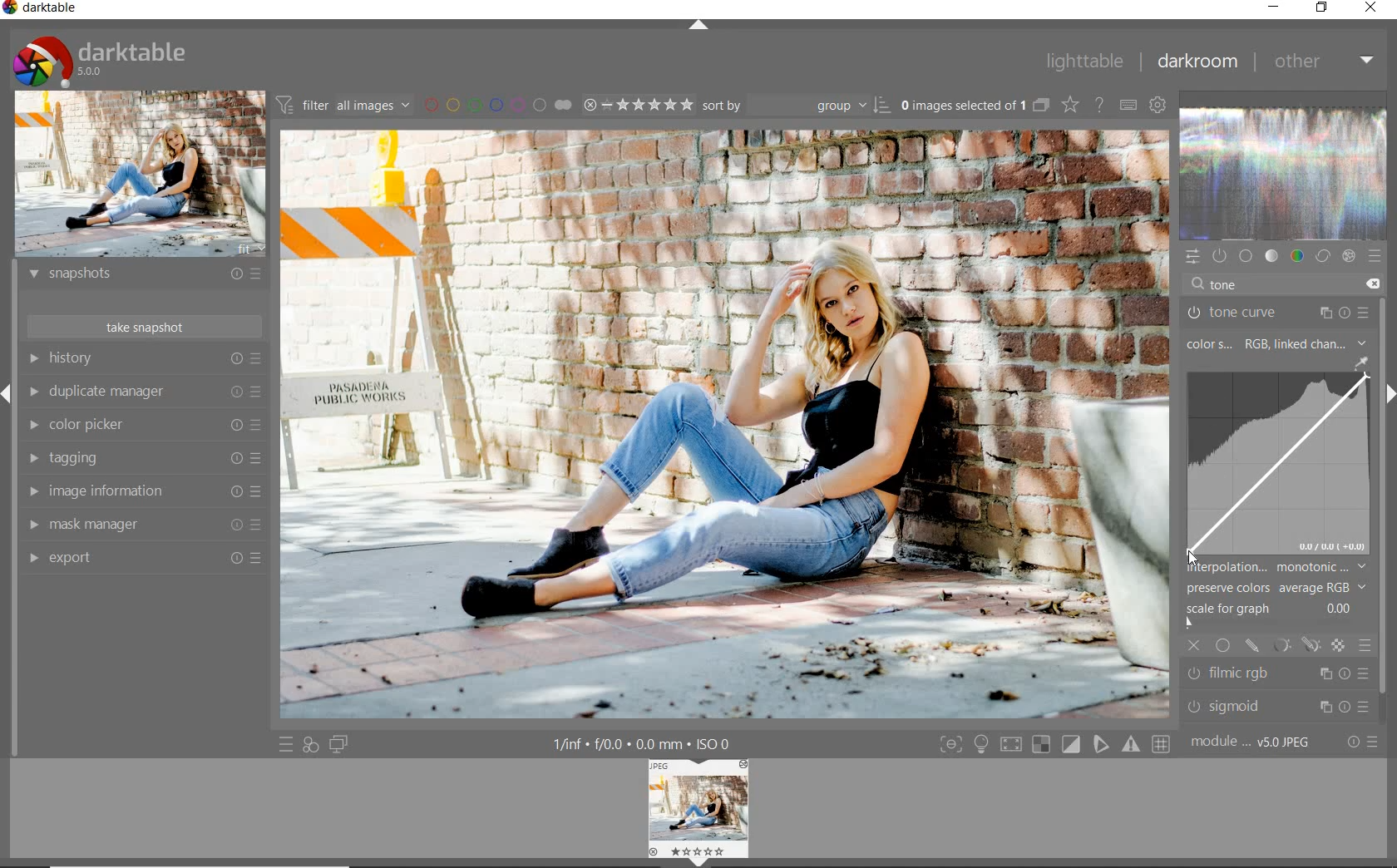 This screenshot has width=1397, height=868. I want to click on set keyboard shortcuts, so click(1128, 106).